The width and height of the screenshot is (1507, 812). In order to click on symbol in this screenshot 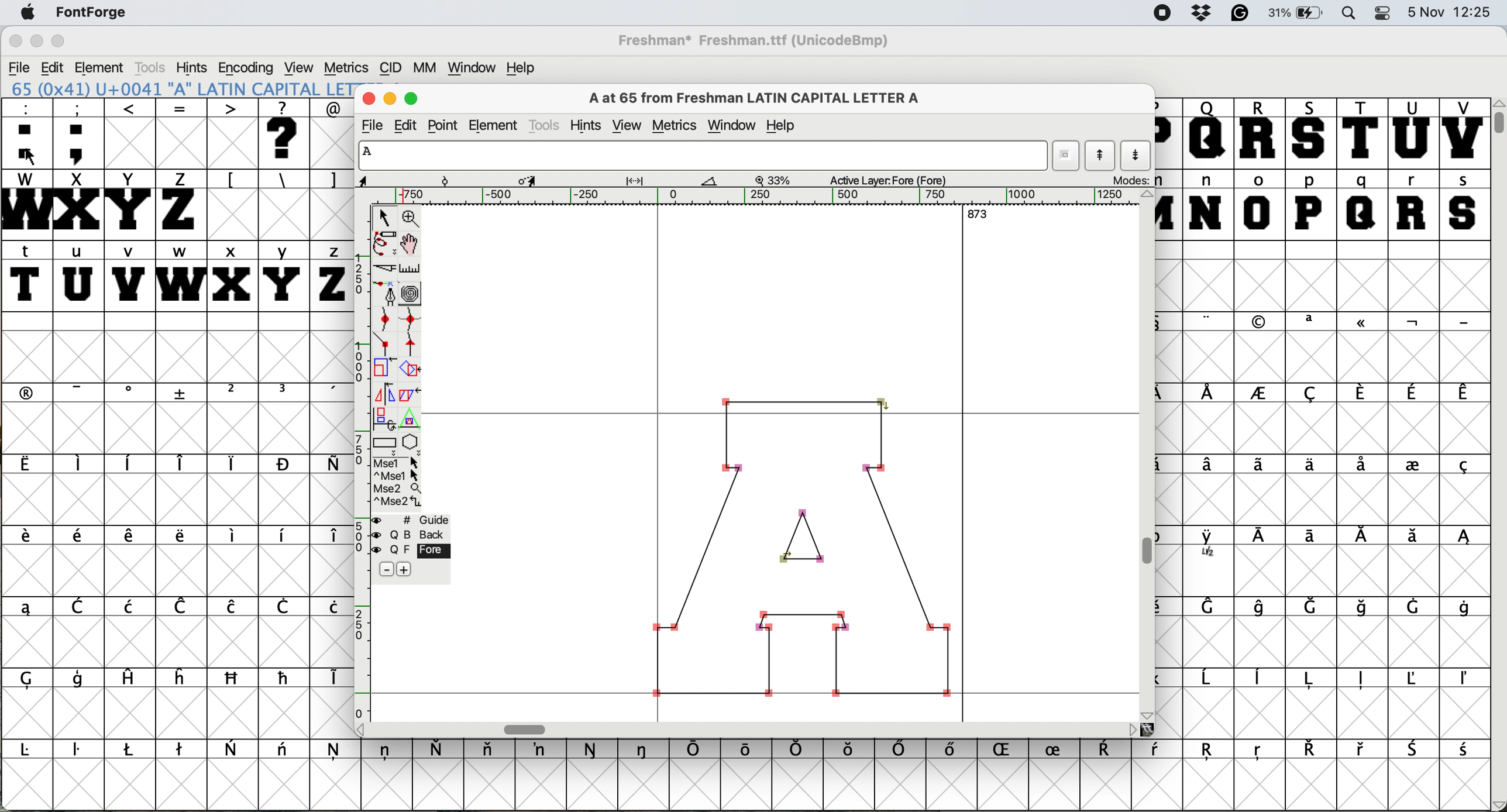, I will do `click(234, 463)`.